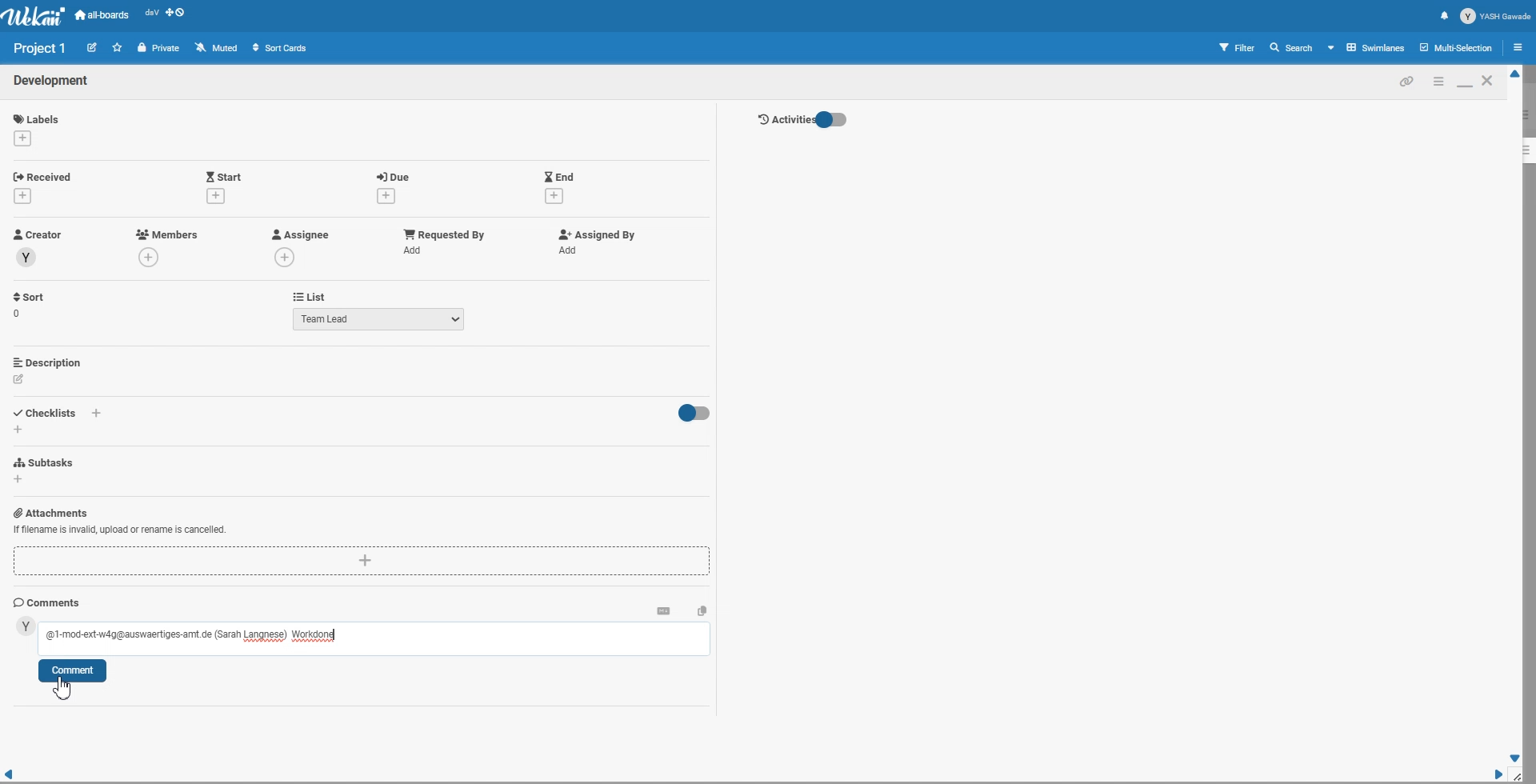 This screenshot has width=1536, height=784. What do you see at coordinates (27, 258) in the screenshot?
I see `avatar` at bounding box center [27, 258].